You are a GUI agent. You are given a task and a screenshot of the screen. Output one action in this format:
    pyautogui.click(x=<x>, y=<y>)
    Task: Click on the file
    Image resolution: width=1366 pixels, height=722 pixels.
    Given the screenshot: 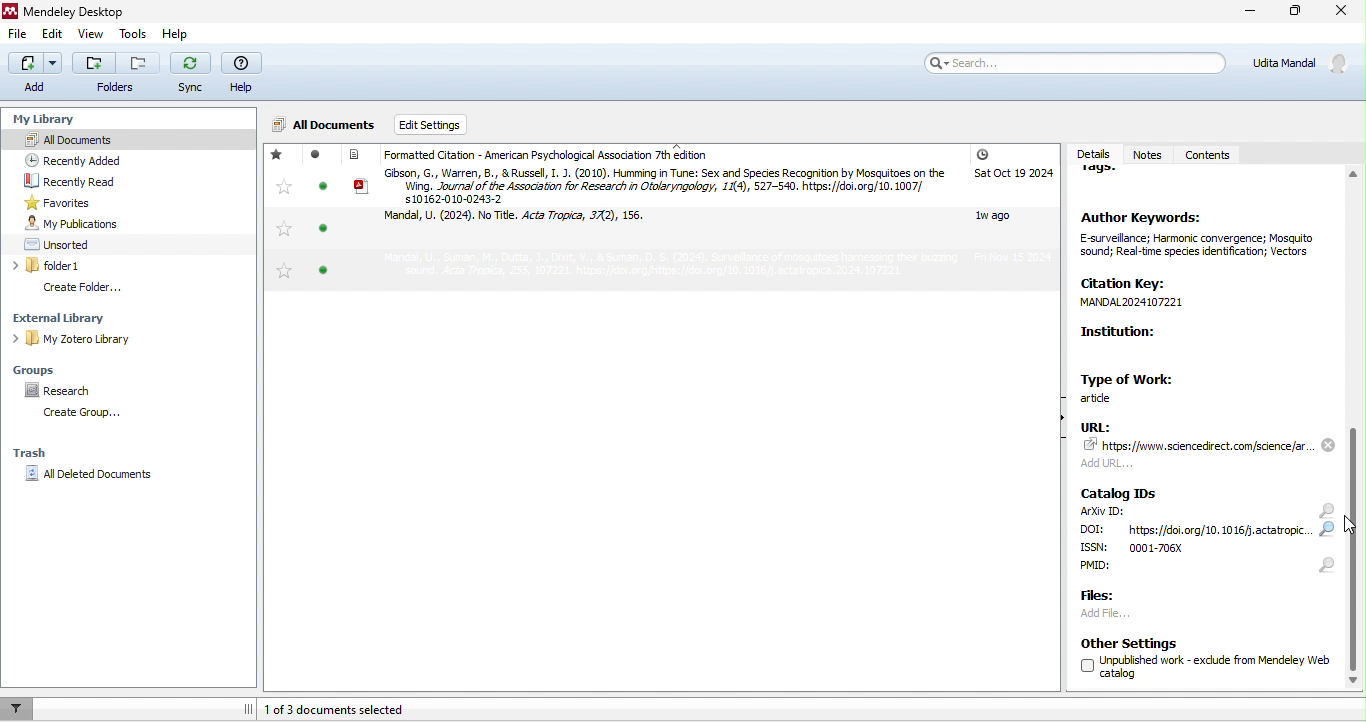 What is the action you would take?
    pyautogui.click(x=20, y=37)
    